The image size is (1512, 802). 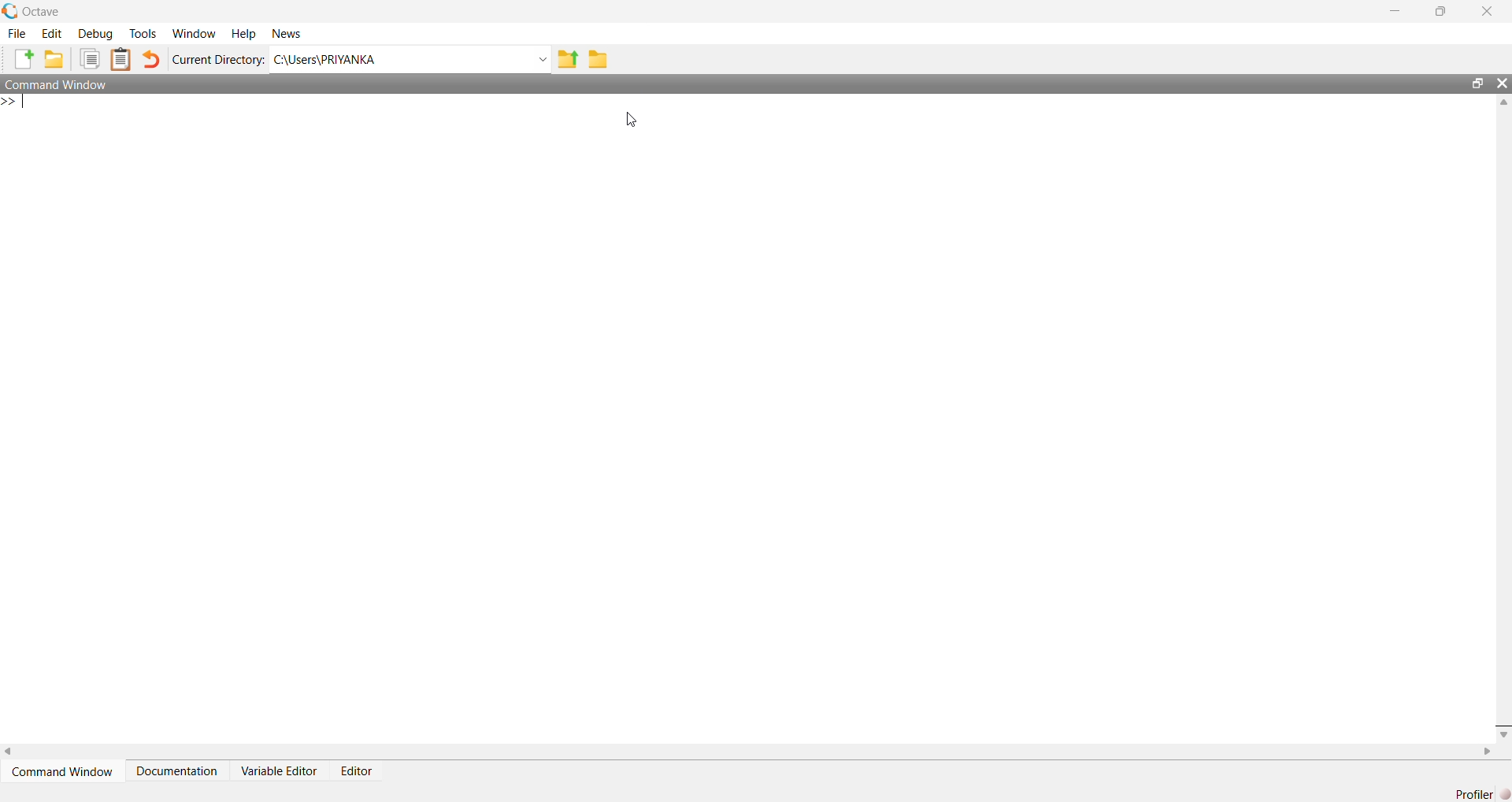 I want to click on Command Window, so click(x=731, y=84).